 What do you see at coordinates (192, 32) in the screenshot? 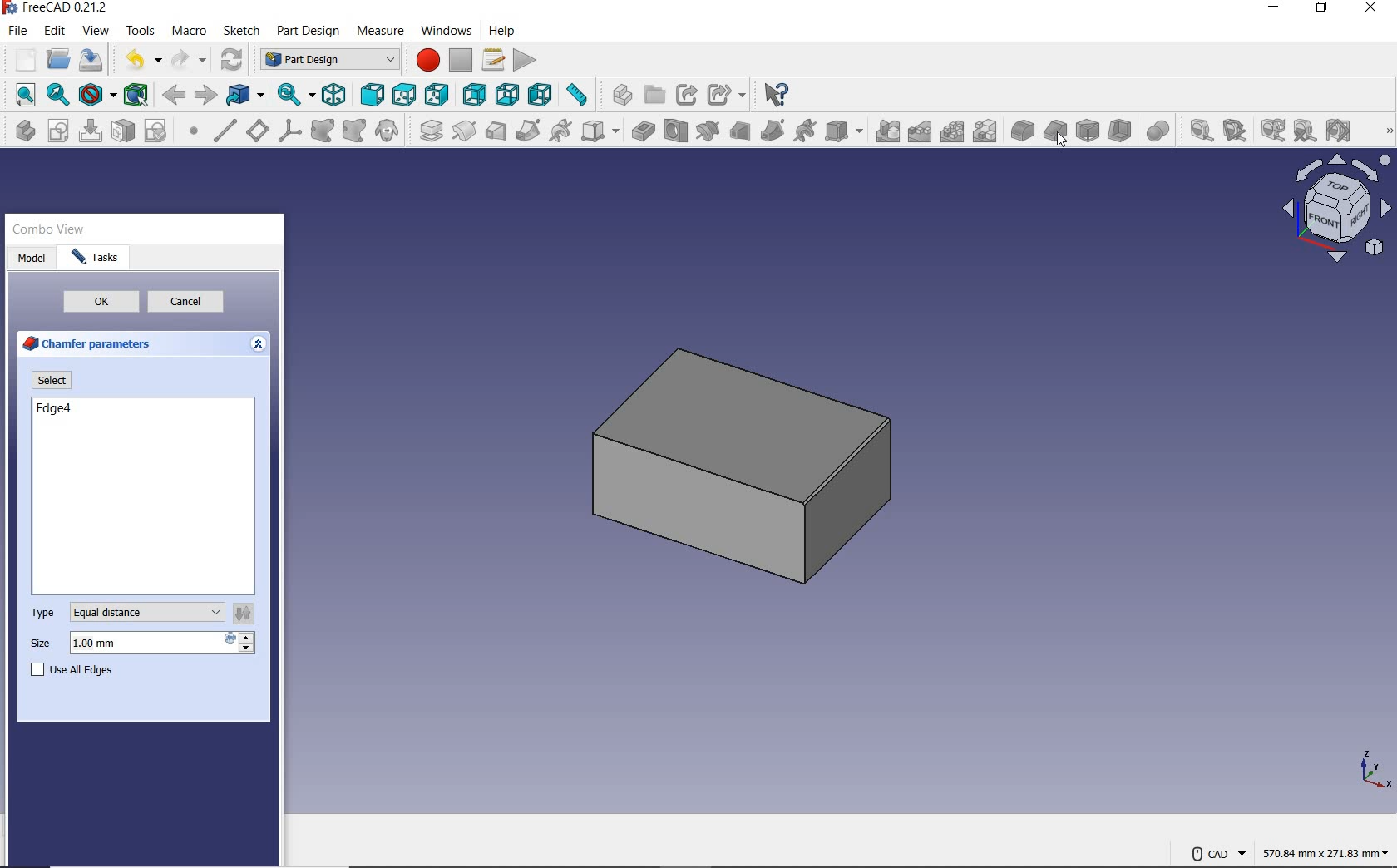
I see `macro` at bounding box center [192, 32].